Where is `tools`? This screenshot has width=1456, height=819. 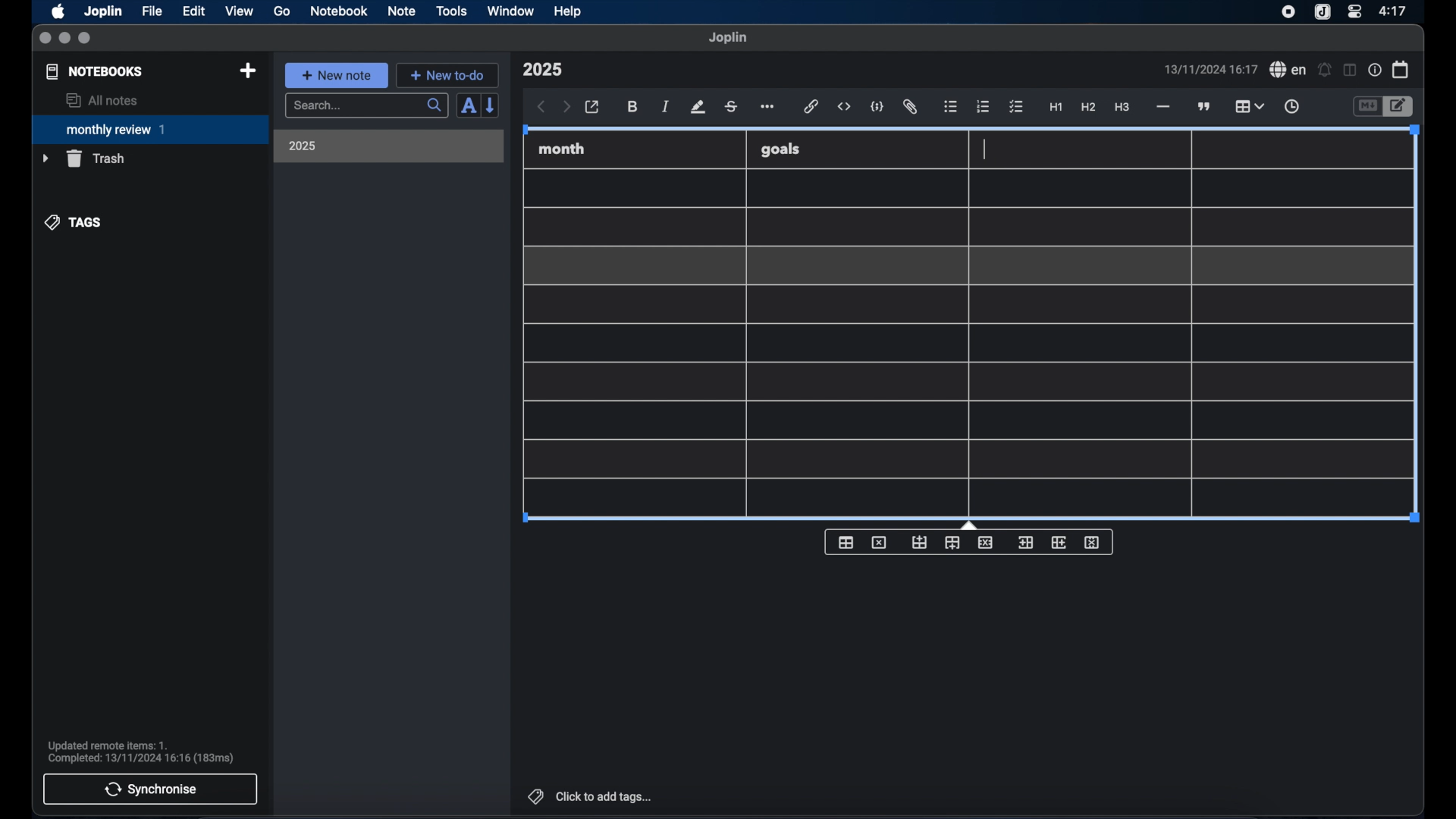 tools is located at coordinates (451, 11).